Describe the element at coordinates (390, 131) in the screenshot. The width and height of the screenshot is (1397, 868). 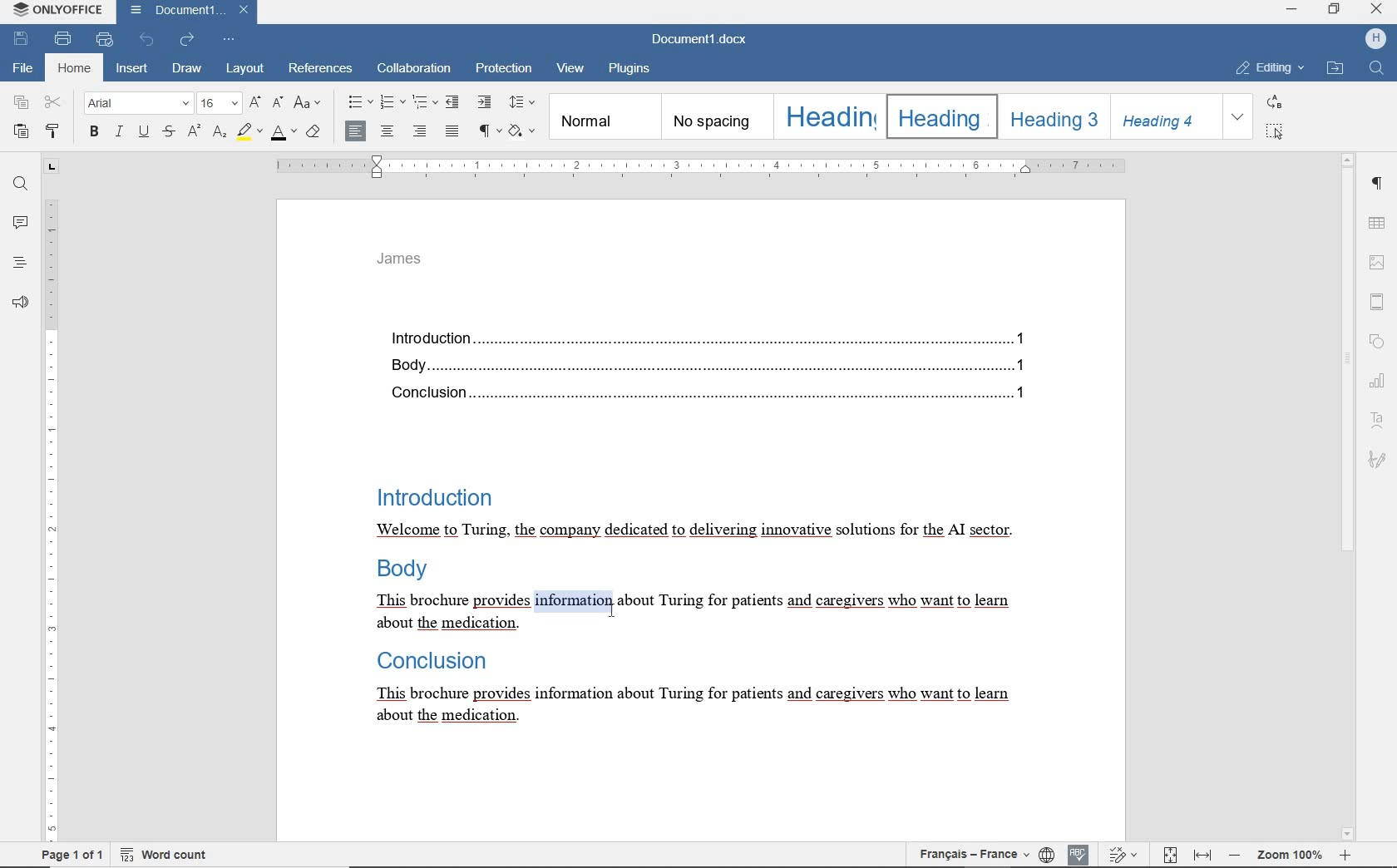
I see `ALIGN CENTER` at that location.